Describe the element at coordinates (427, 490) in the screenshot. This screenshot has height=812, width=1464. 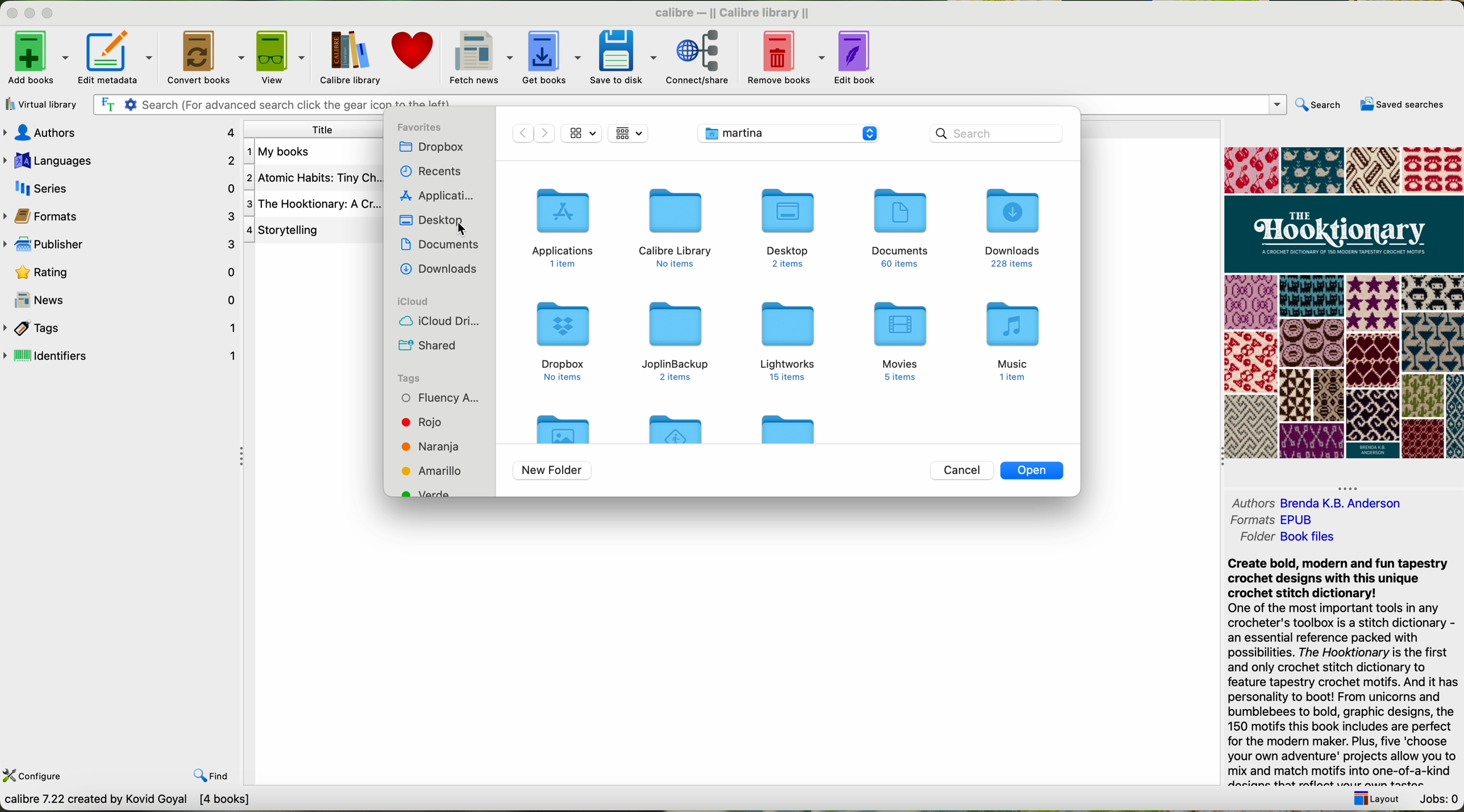
I see `green tag` at that location.